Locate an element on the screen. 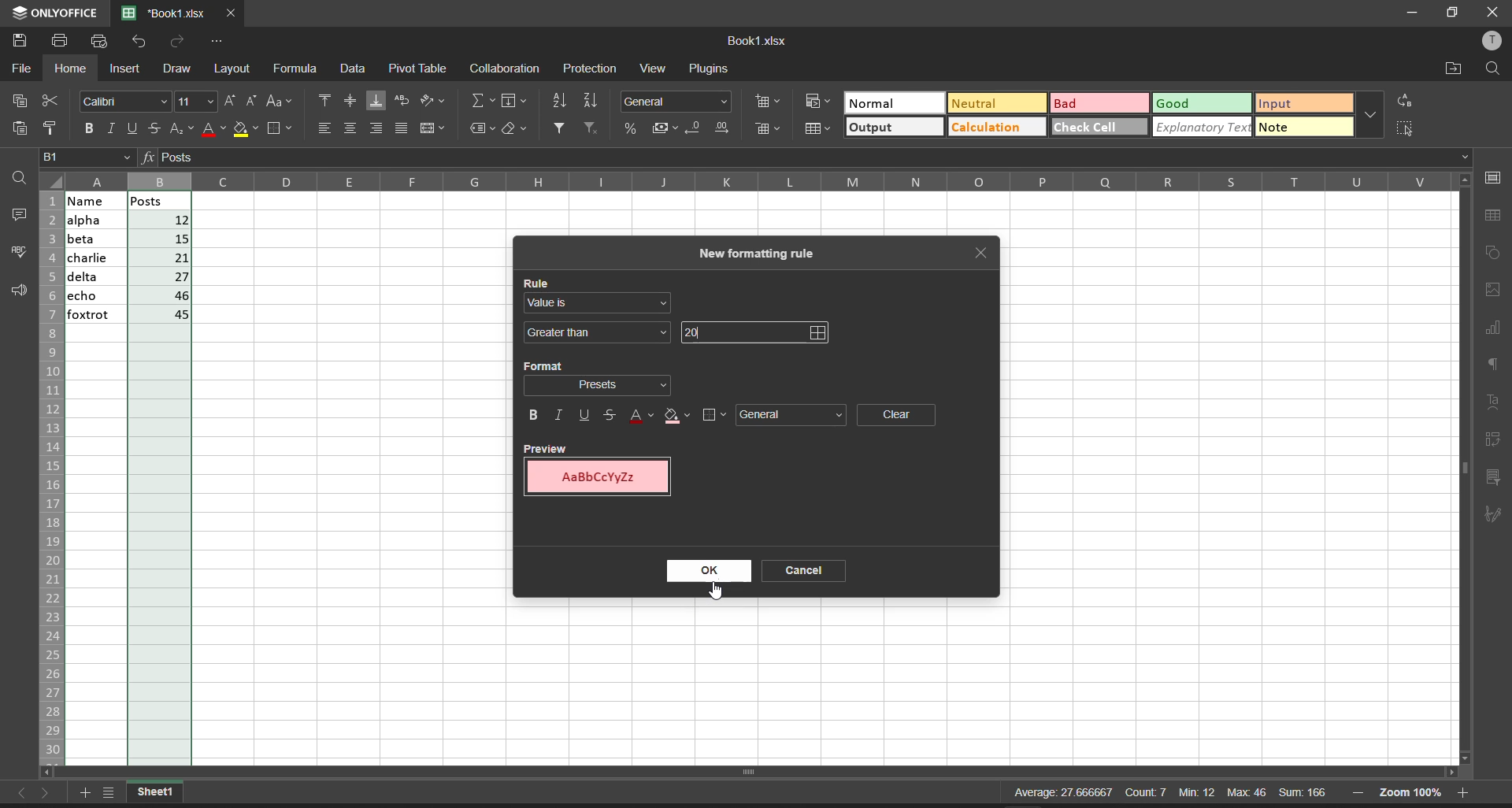 This screenshot has width=1512, height=808. Normal is located at coordinates (873, 104).